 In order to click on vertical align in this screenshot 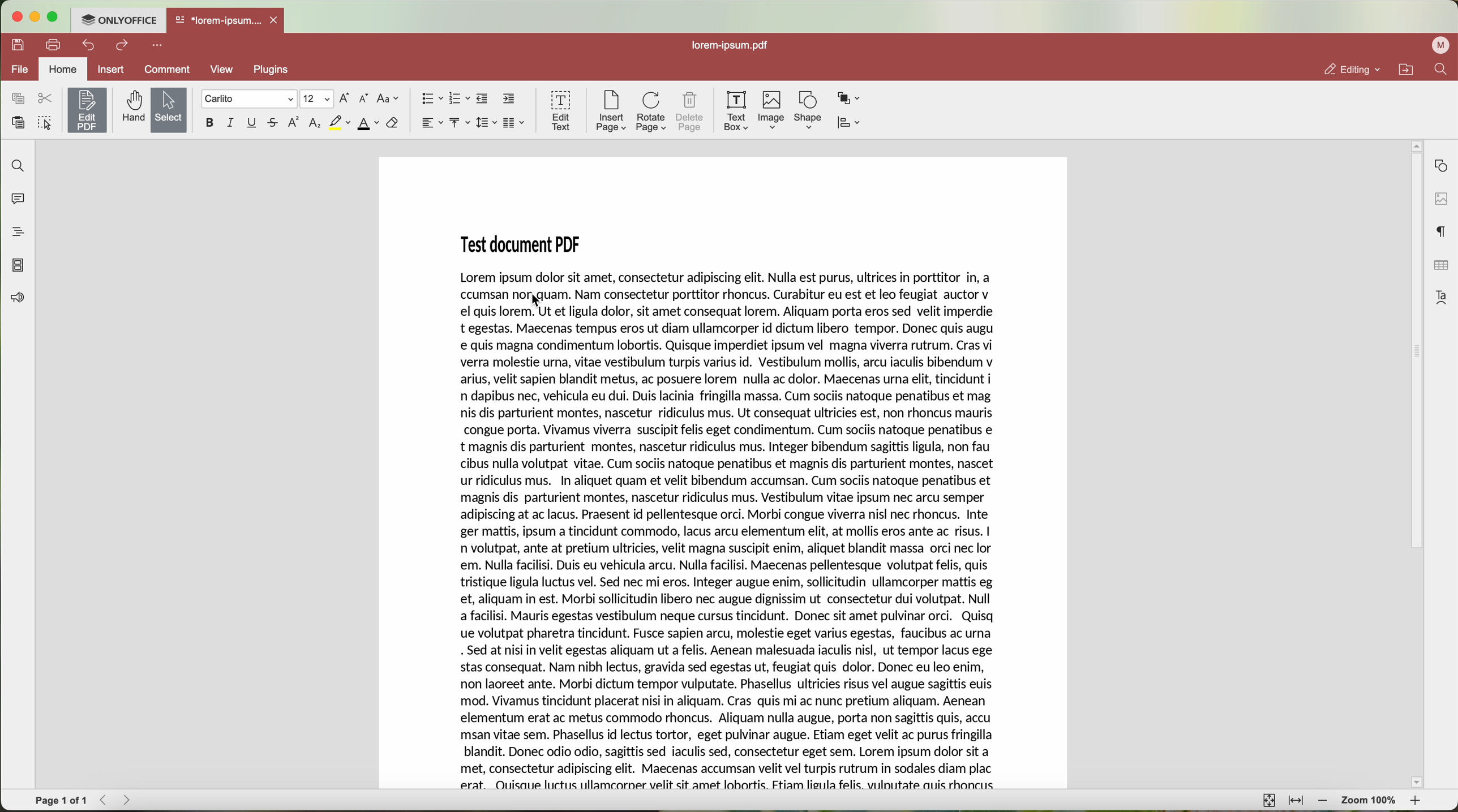, I will do `click(458, 121)`.